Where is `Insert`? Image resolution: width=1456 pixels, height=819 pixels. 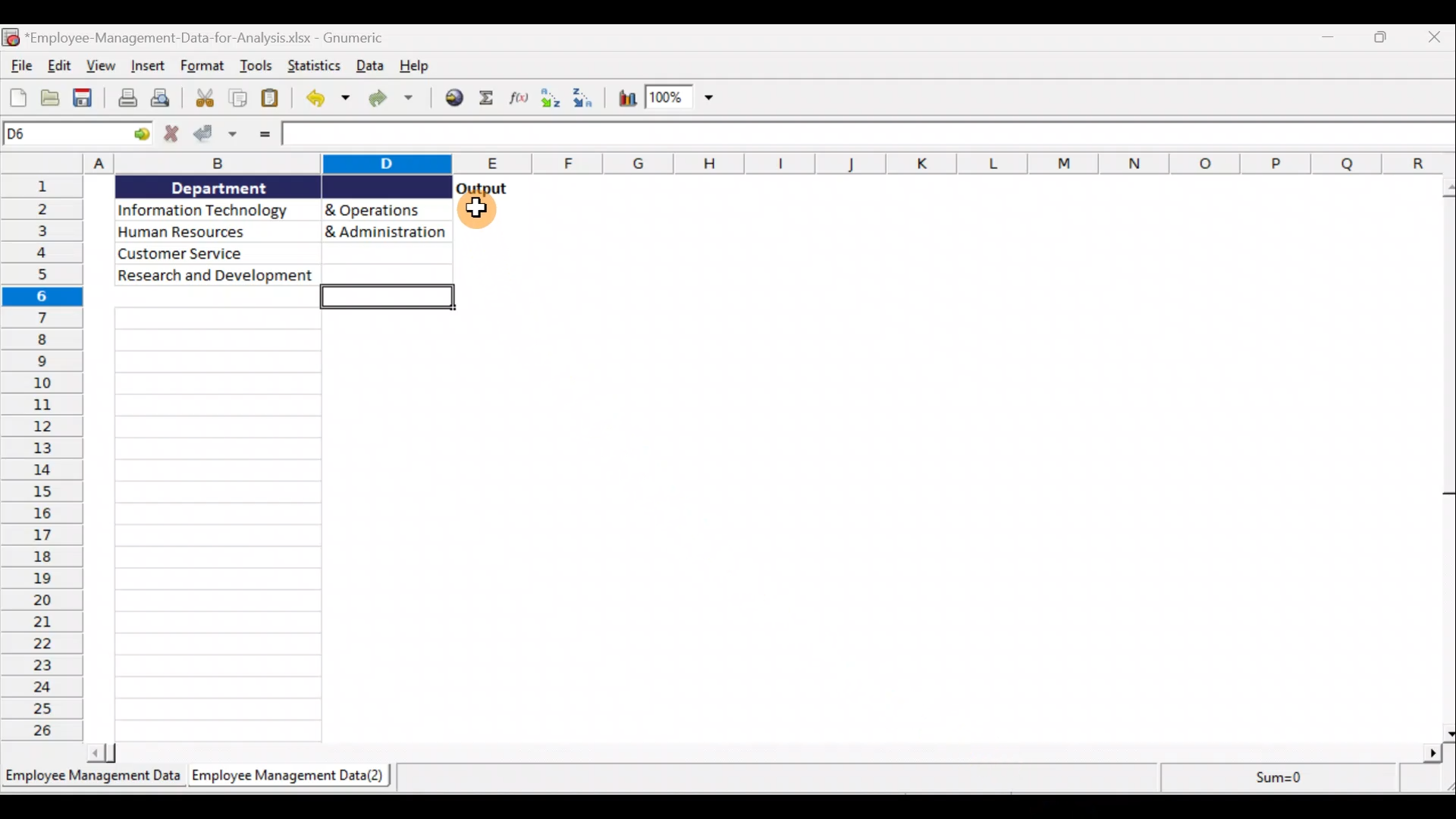
Insert is located at coordinates (146, 64).